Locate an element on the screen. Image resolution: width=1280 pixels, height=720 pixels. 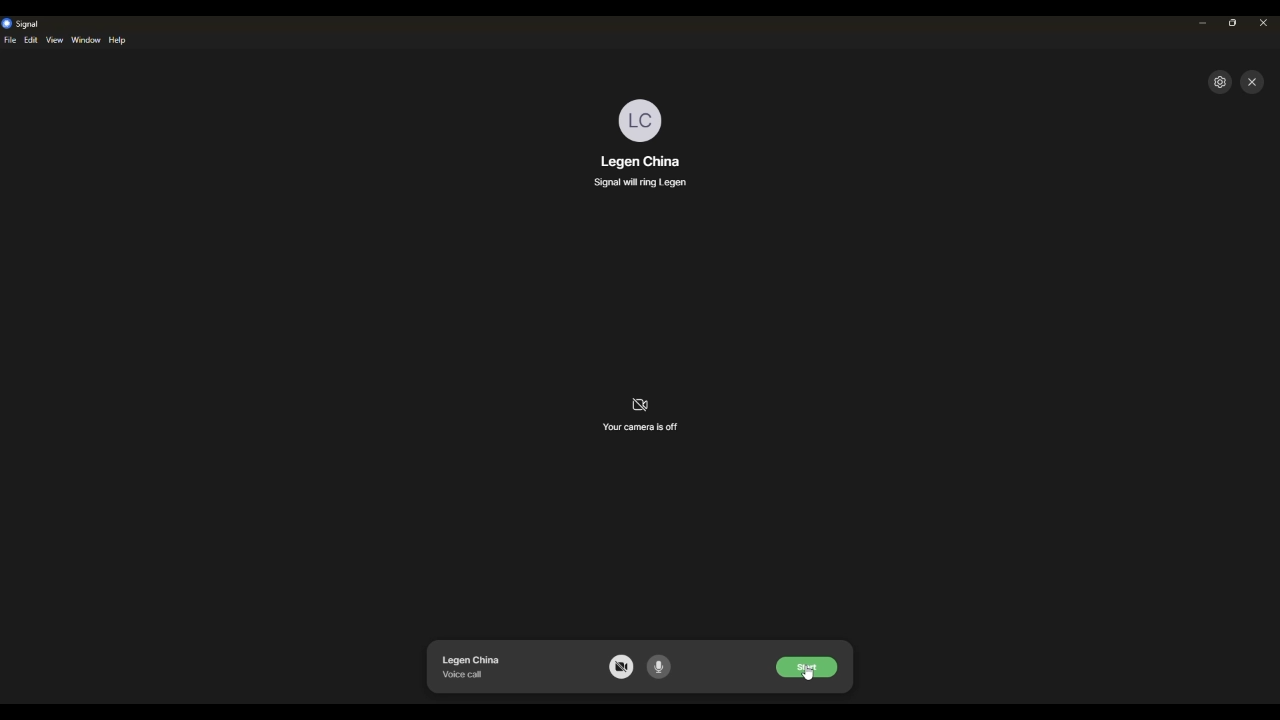
signal is located at coordinates (24, 24).